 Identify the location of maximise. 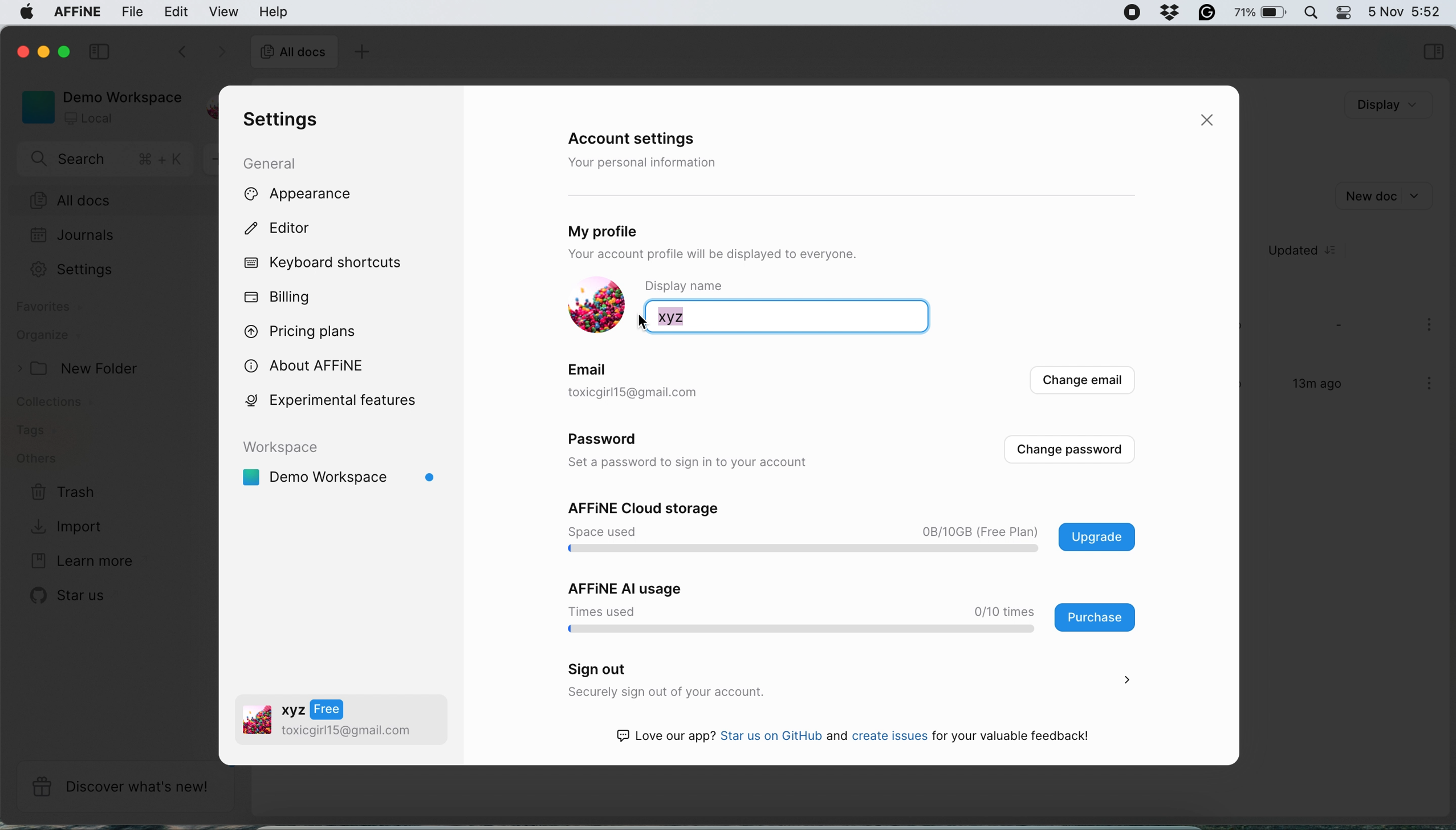
(68, 51).